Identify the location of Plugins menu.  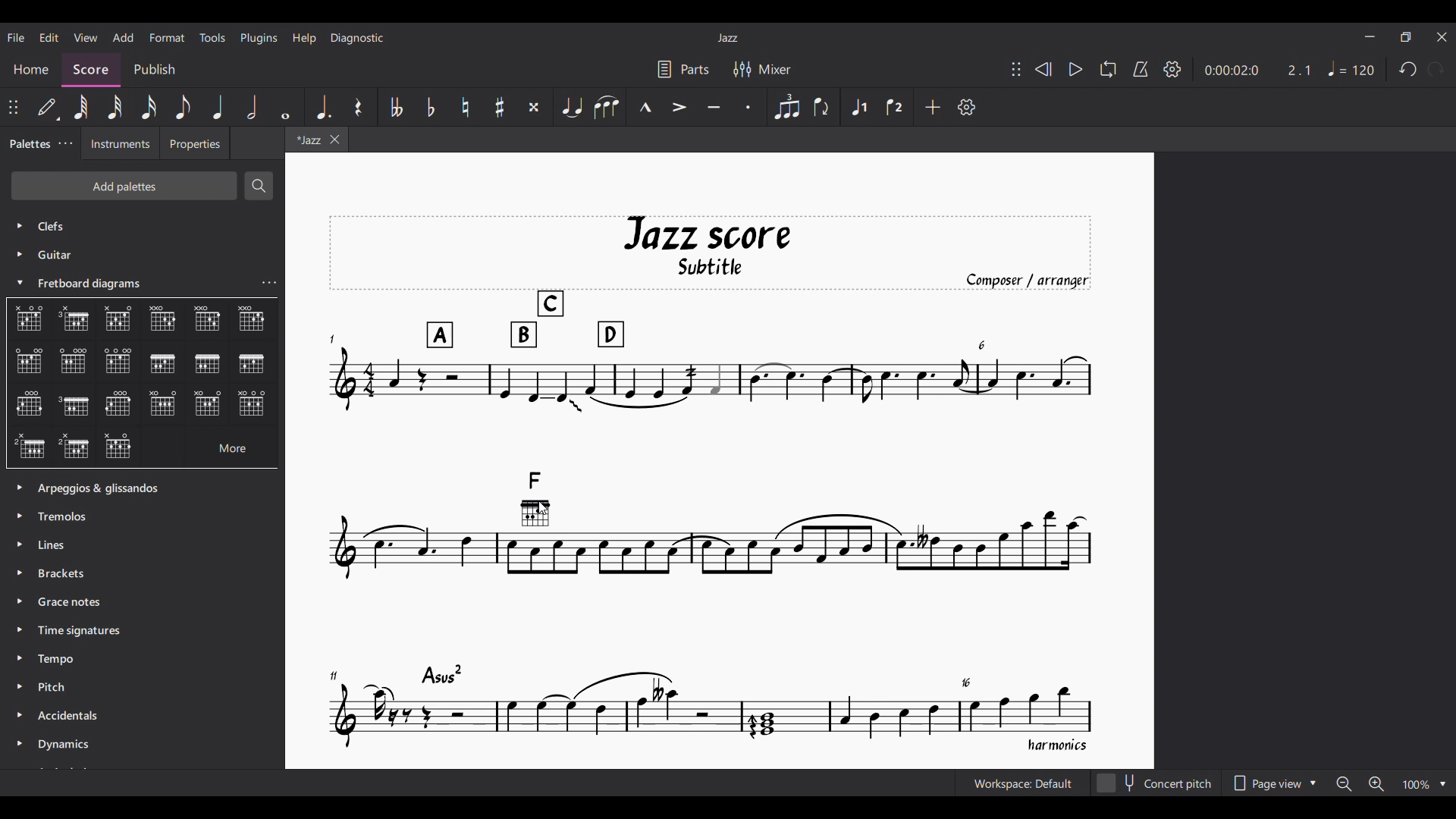
(259, 39).